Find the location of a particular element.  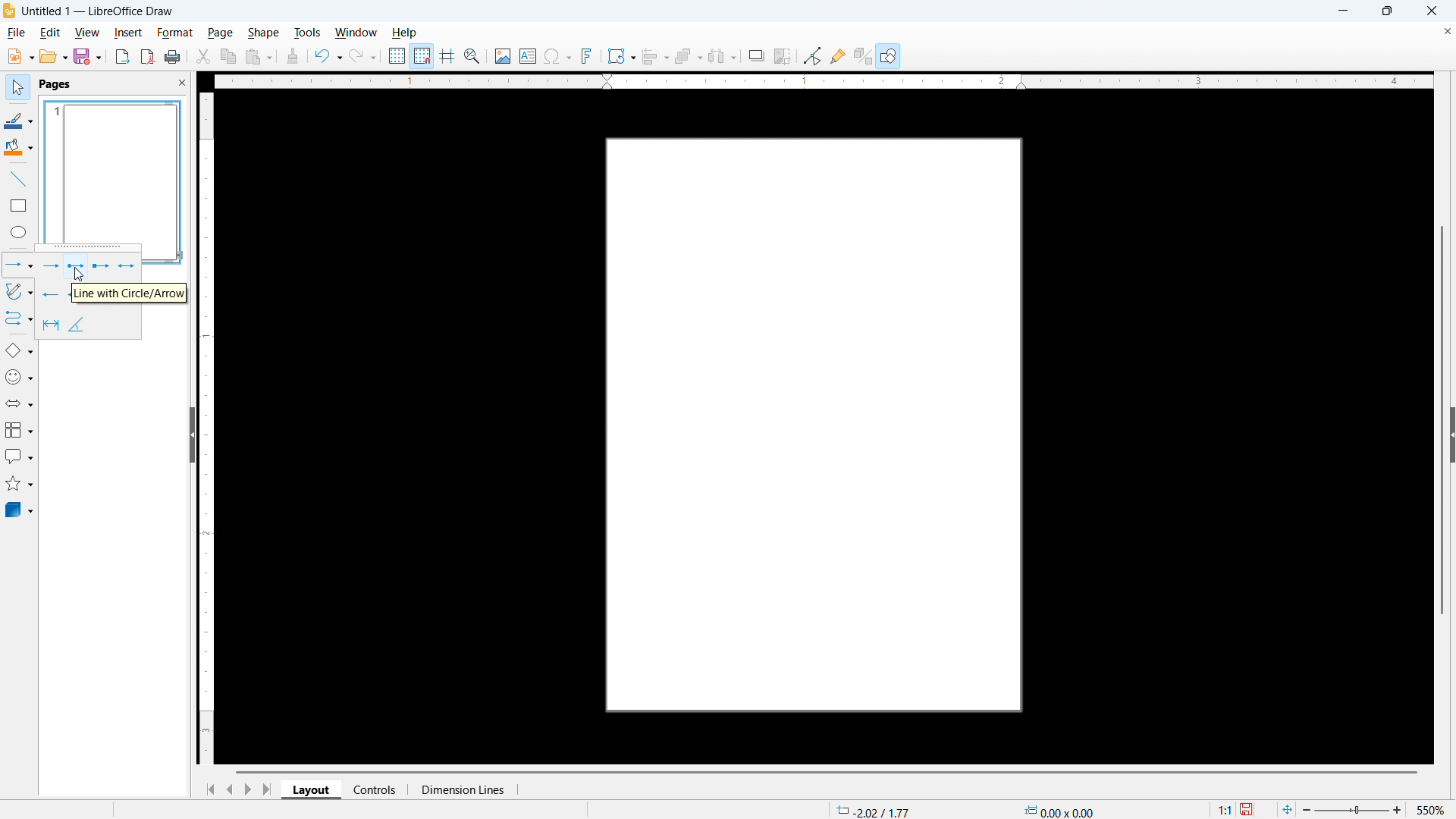

Toggle point edit mode  is located at coordinates (813, 55).